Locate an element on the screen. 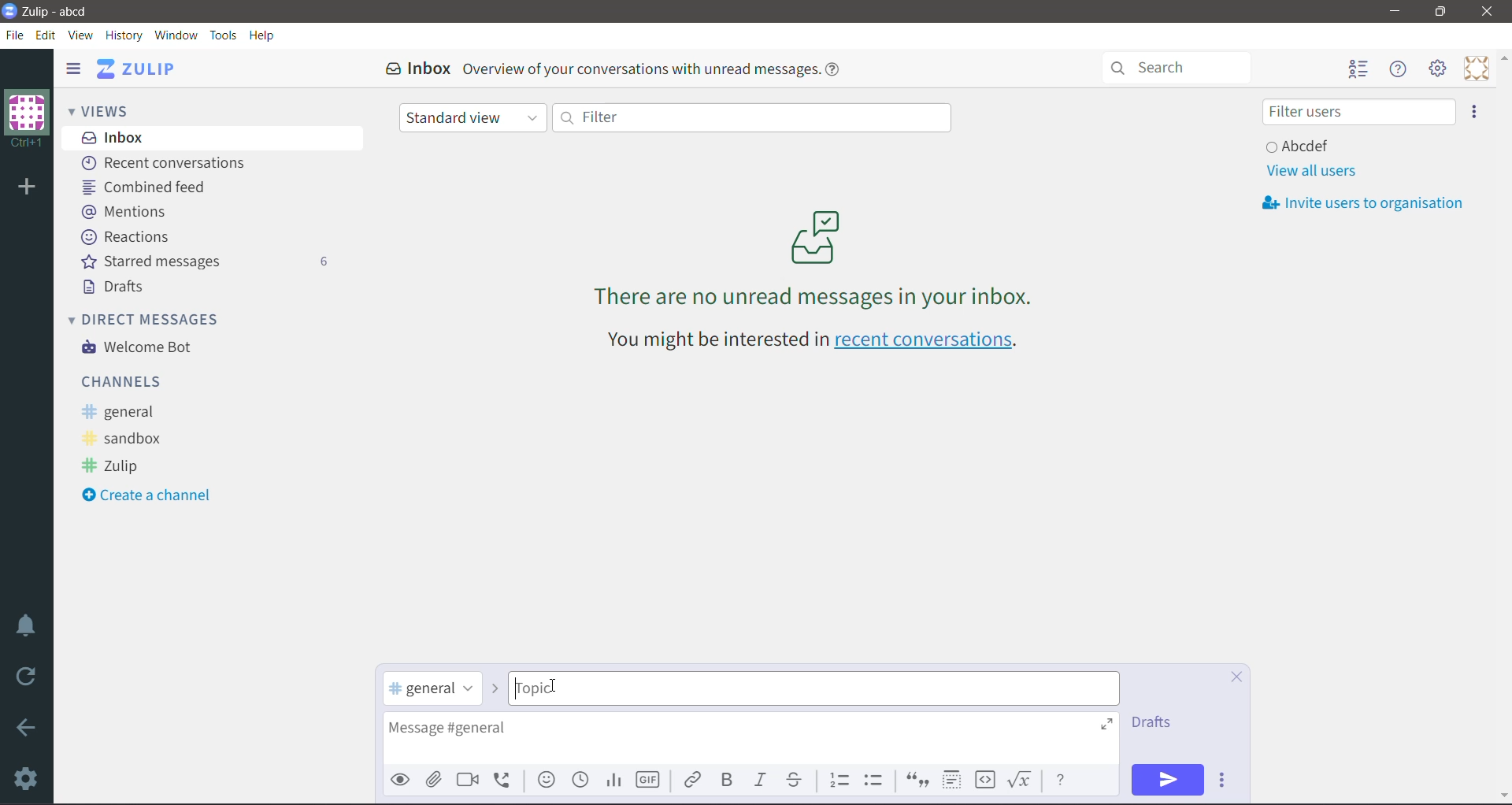 The height and width of the screenshot is (805, 1512). Go Back is located at coordinates (27, 727).